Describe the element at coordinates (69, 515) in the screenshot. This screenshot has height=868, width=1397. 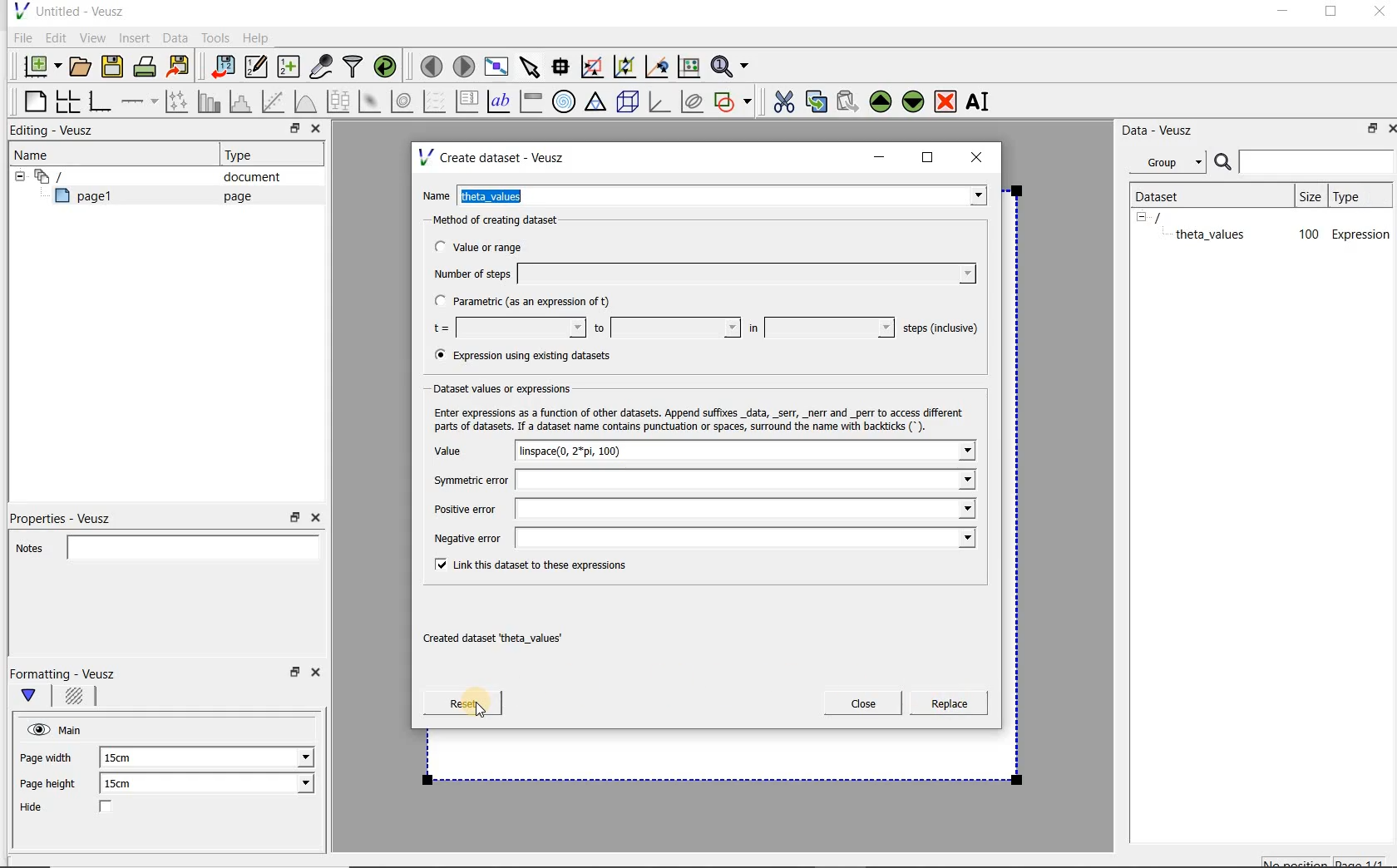
I see `Properties - Veusz` at that location.